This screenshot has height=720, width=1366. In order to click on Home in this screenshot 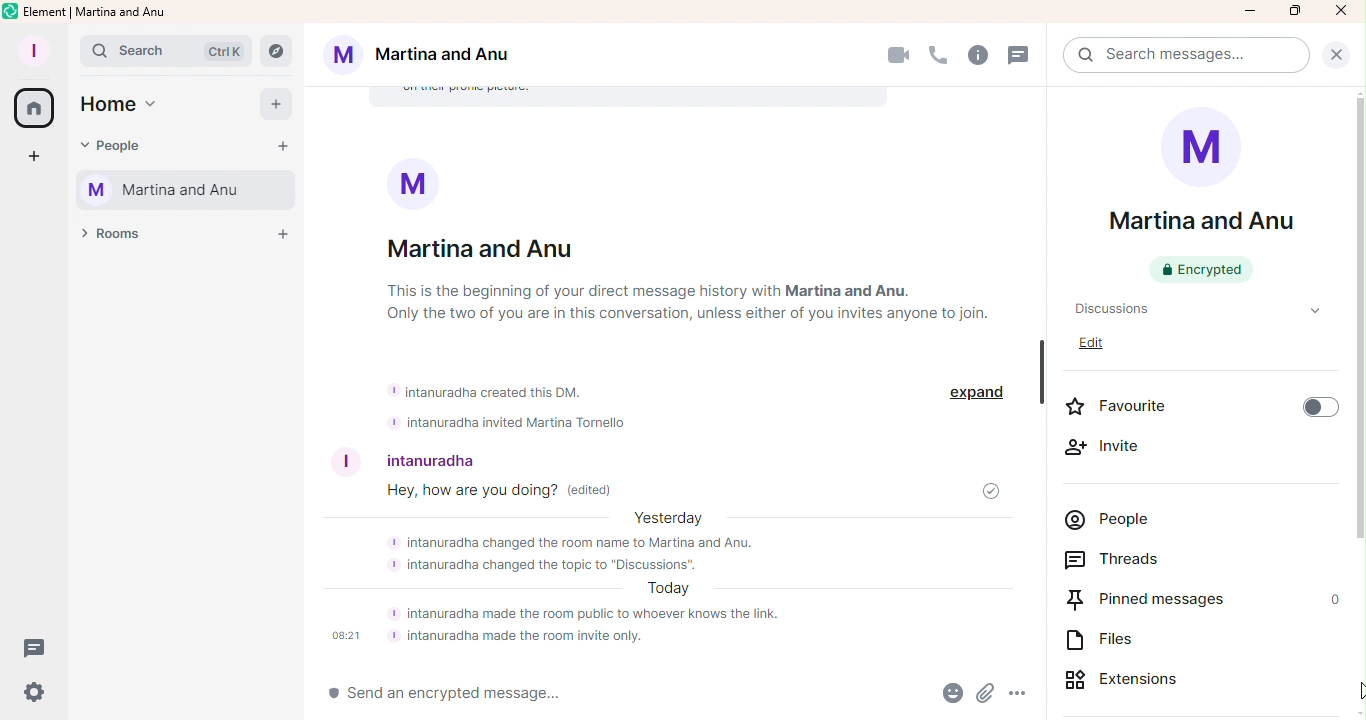, I will do `click(120, 108)`.